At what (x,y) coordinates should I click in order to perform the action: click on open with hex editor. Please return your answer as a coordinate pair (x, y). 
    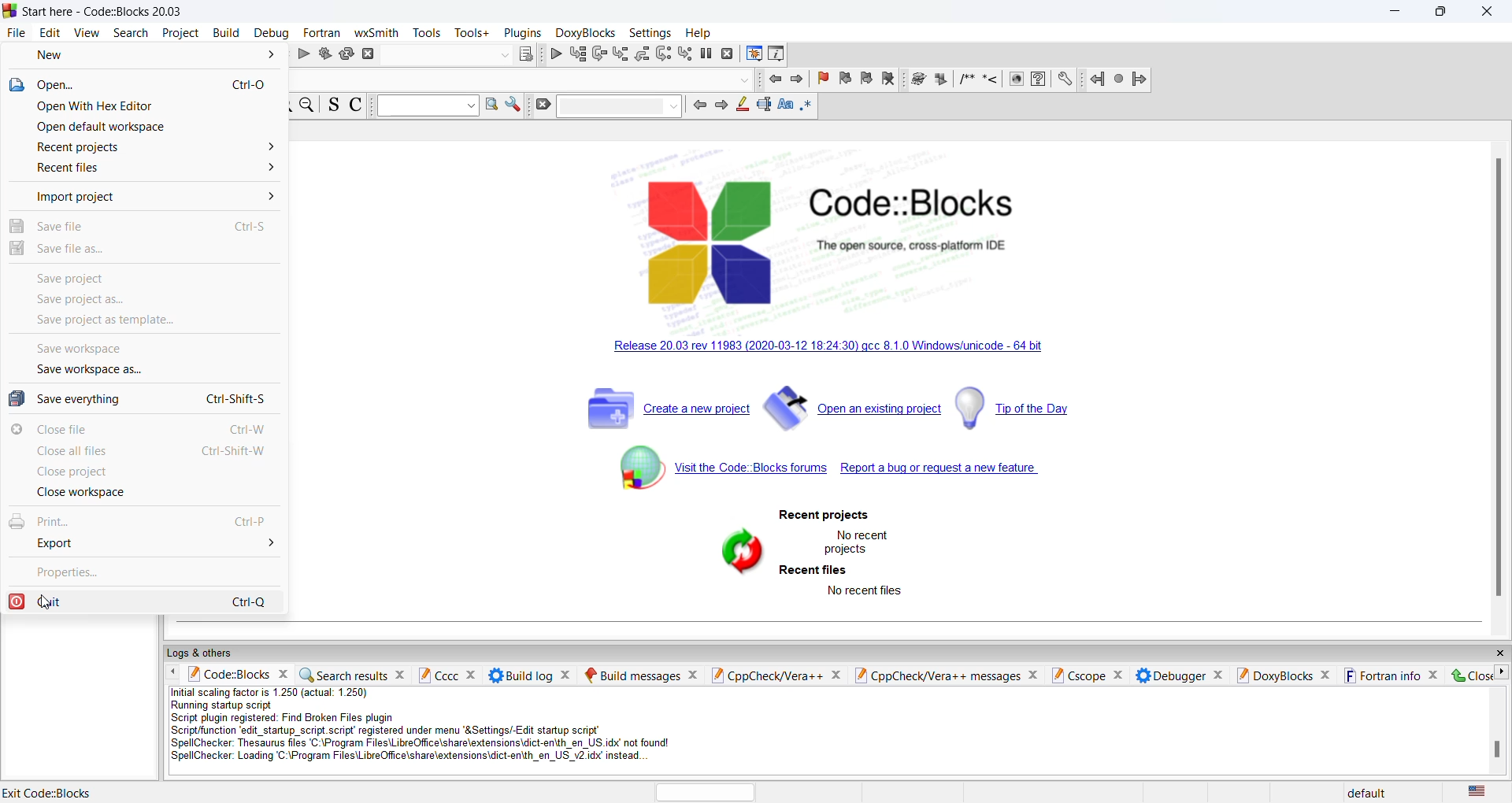
    Looking at the image, I should click on (150, 108).